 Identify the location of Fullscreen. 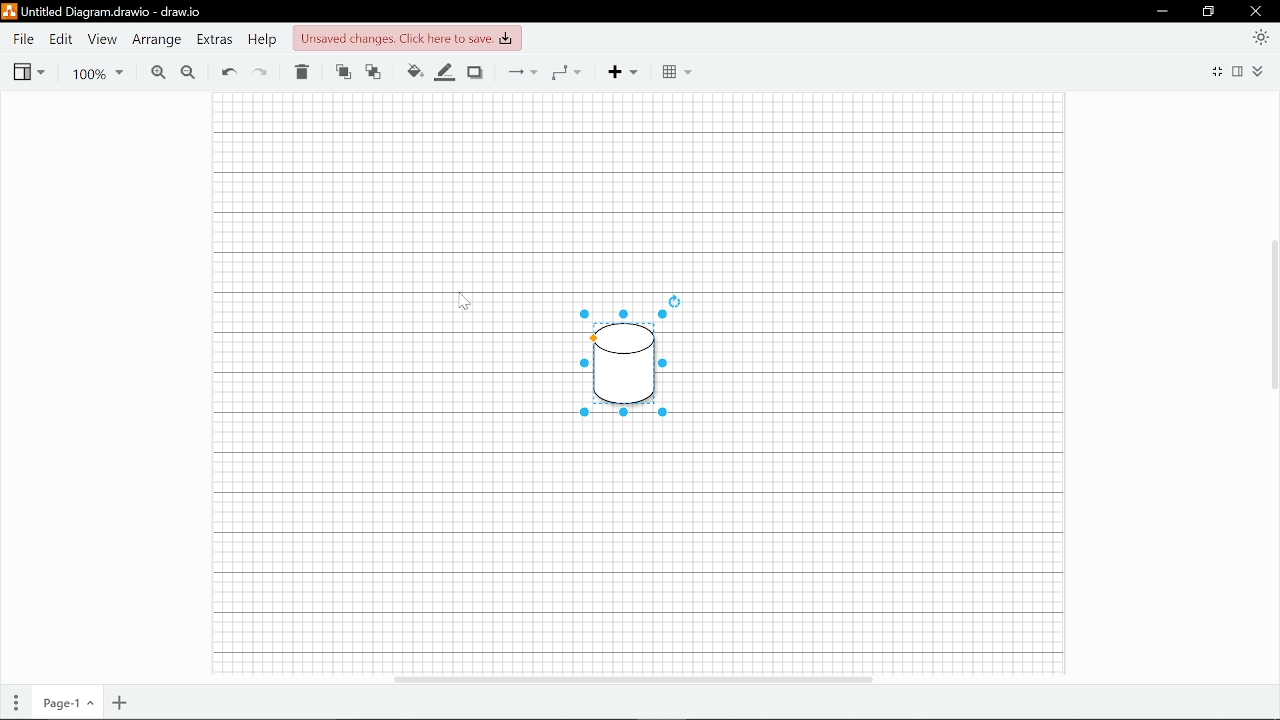
(1218, 70).